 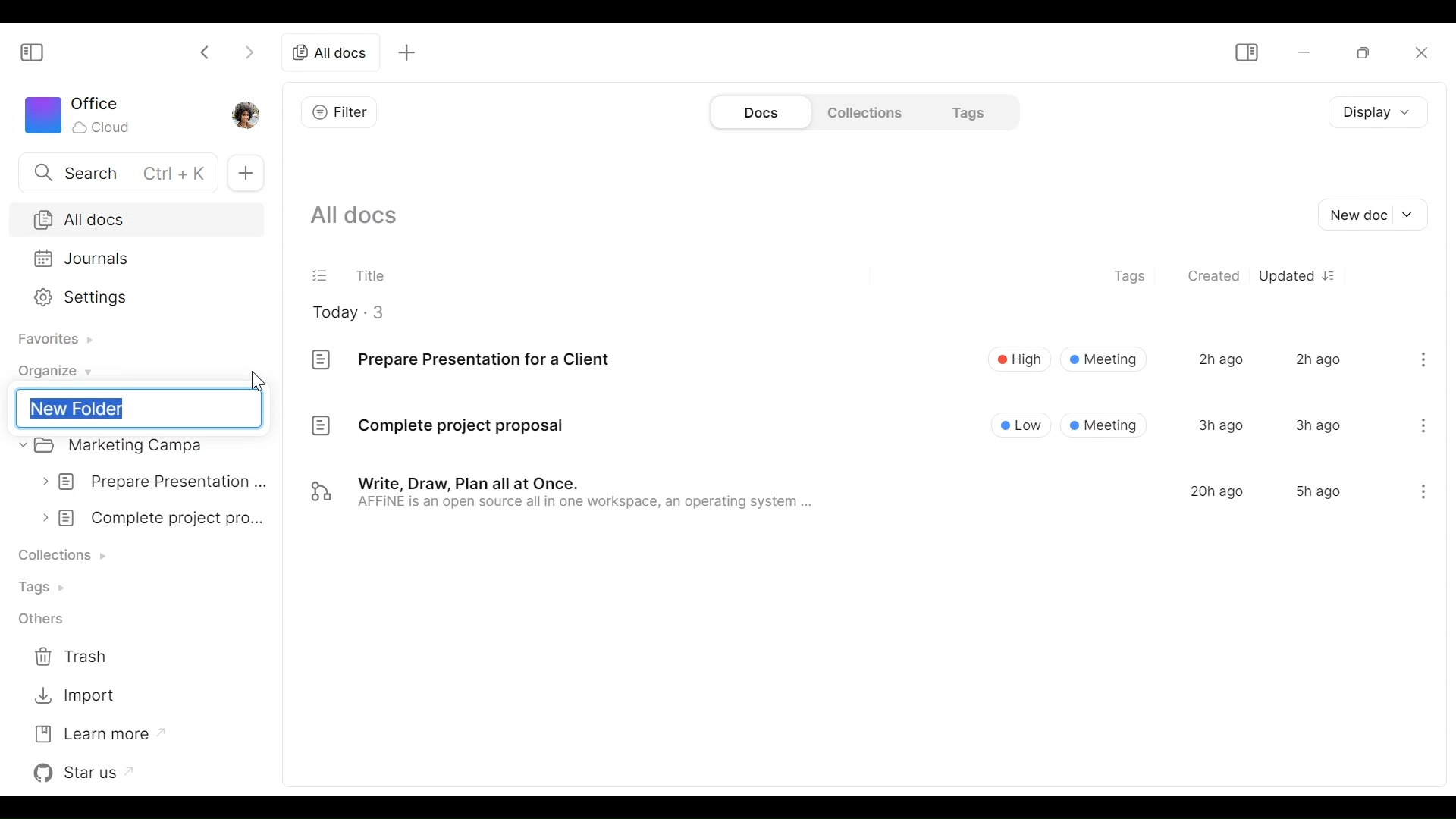 What do you see at coordinates (259, 380) in the screenshot?
I see `cursor pointer` at bounding box center [259, 380].